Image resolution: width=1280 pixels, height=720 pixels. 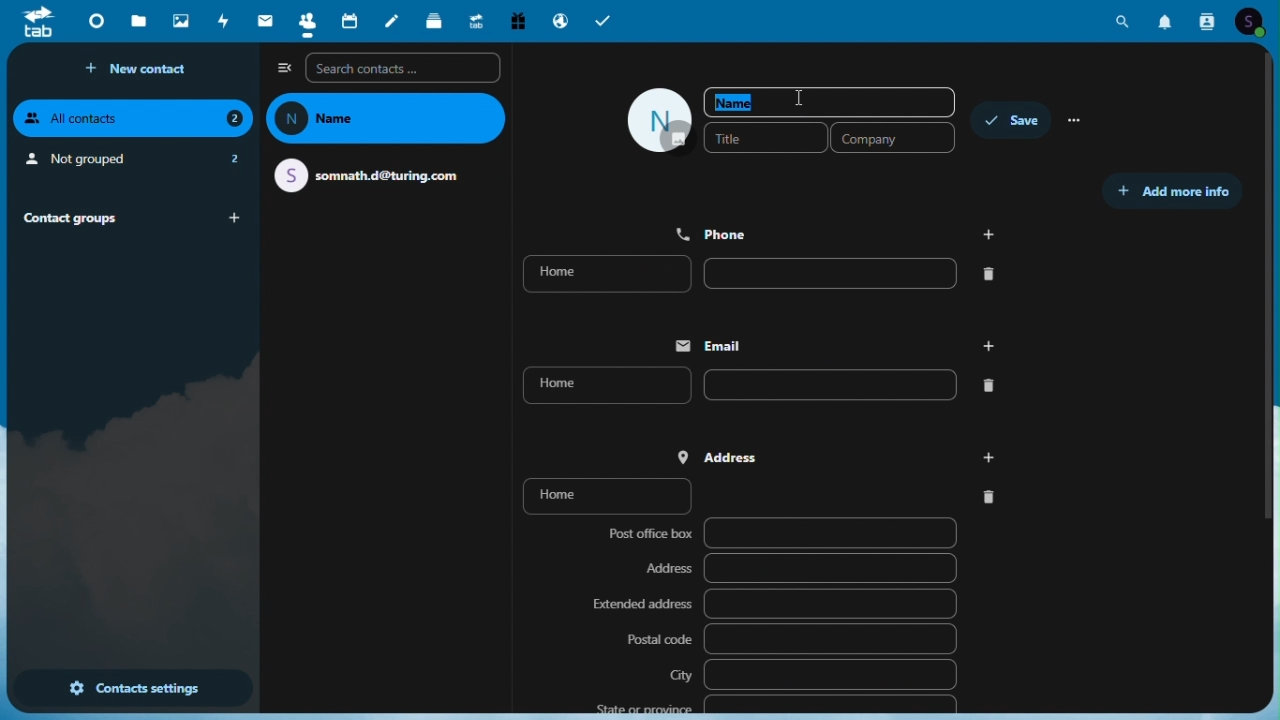 I want to click on Contact groups, so click(x=106, y=217).